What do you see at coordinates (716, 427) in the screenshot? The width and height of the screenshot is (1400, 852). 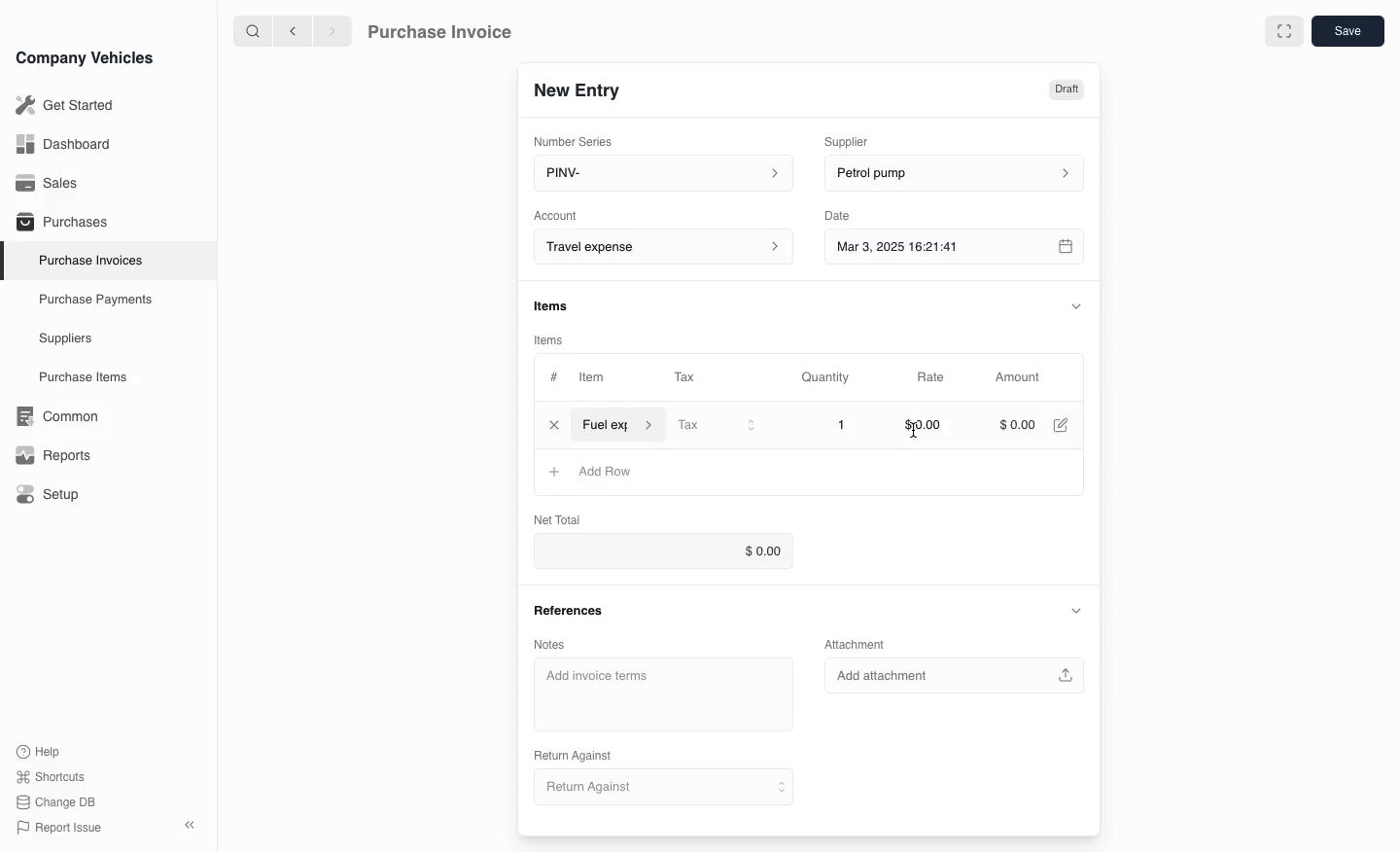 I see `Tax ` at bounding box center [716, 427].